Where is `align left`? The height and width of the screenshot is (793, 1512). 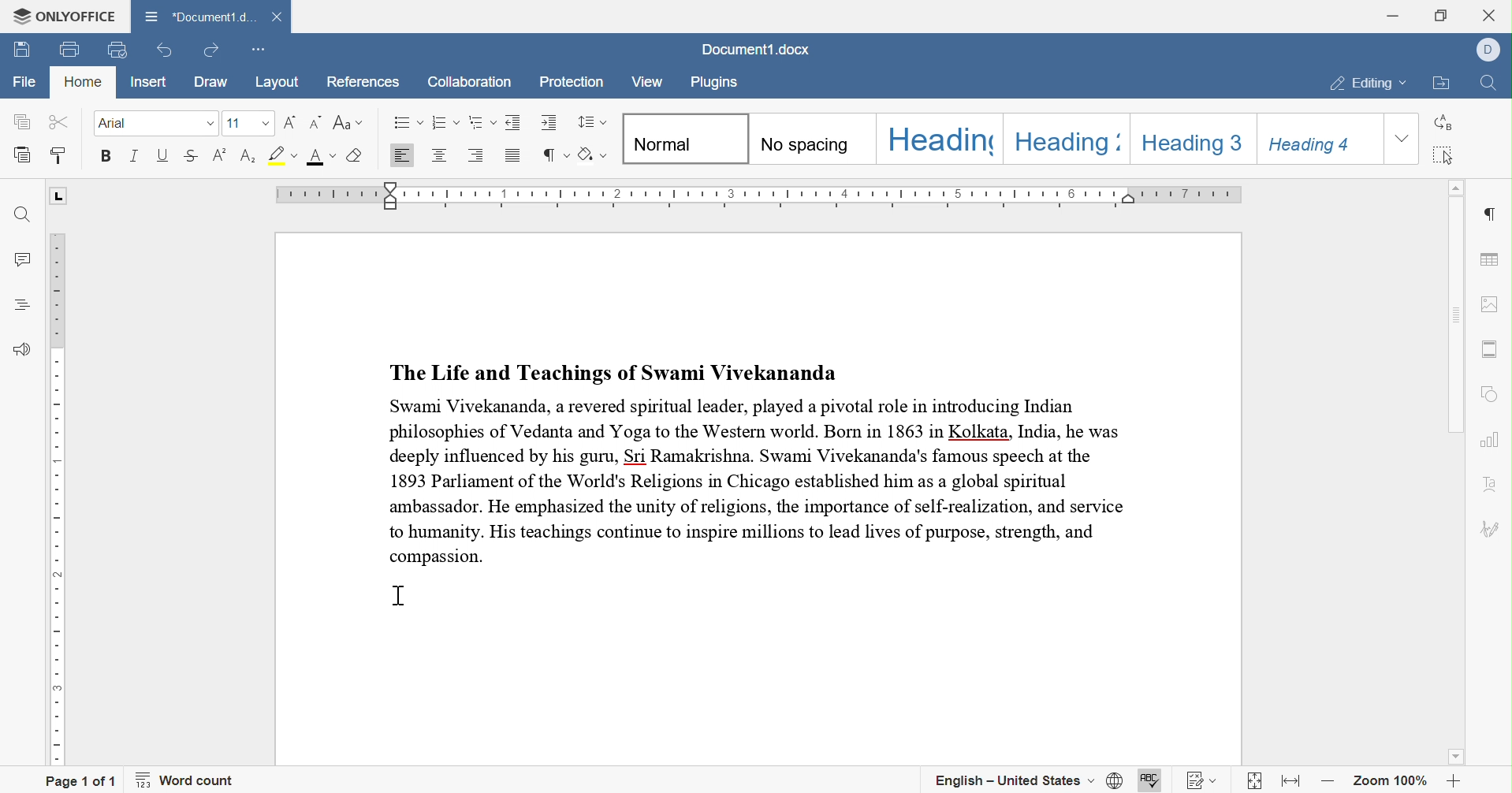
align left is located at coordinates (400, 156).